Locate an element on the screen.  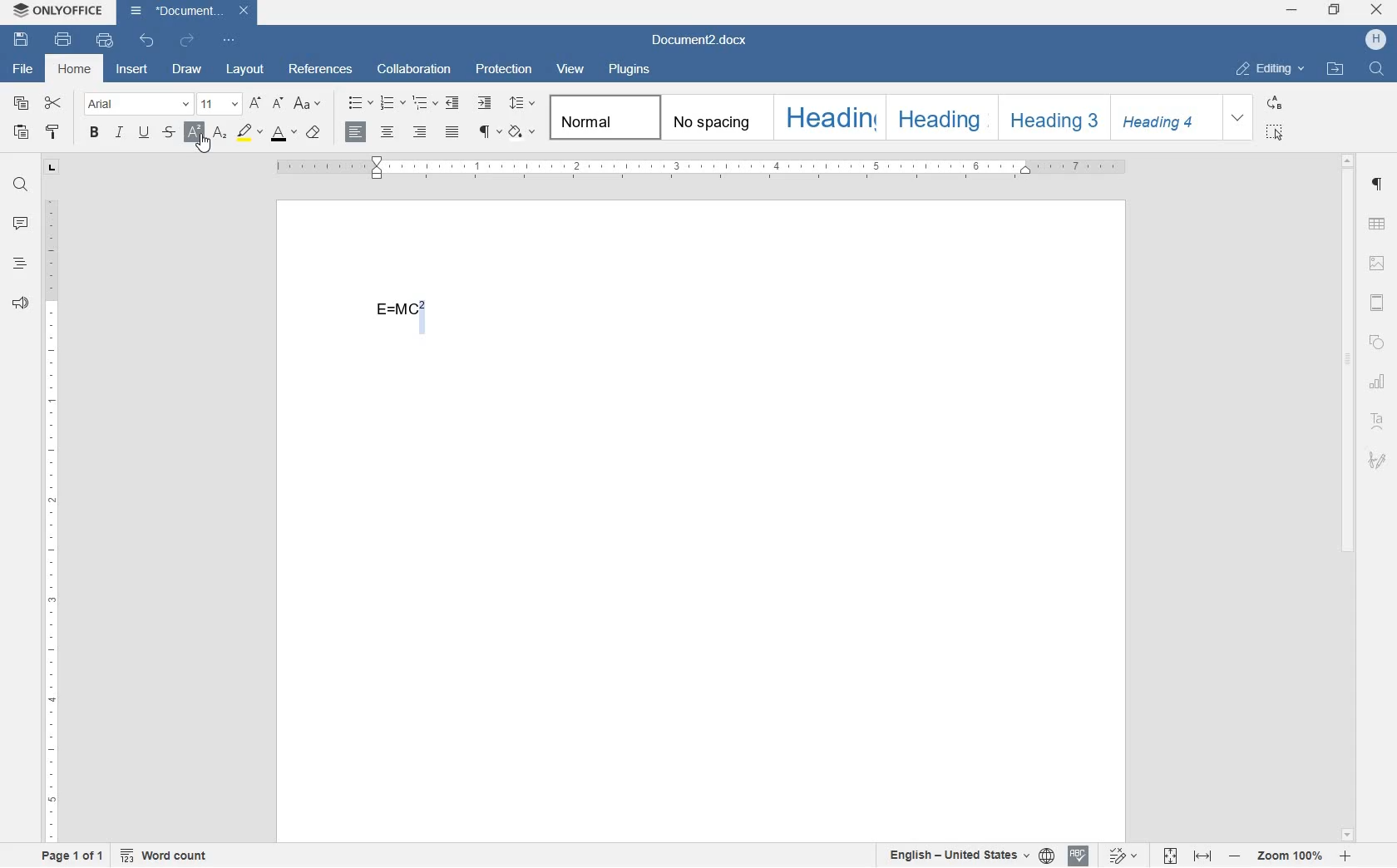
file name is located at coordinates (190, 14).